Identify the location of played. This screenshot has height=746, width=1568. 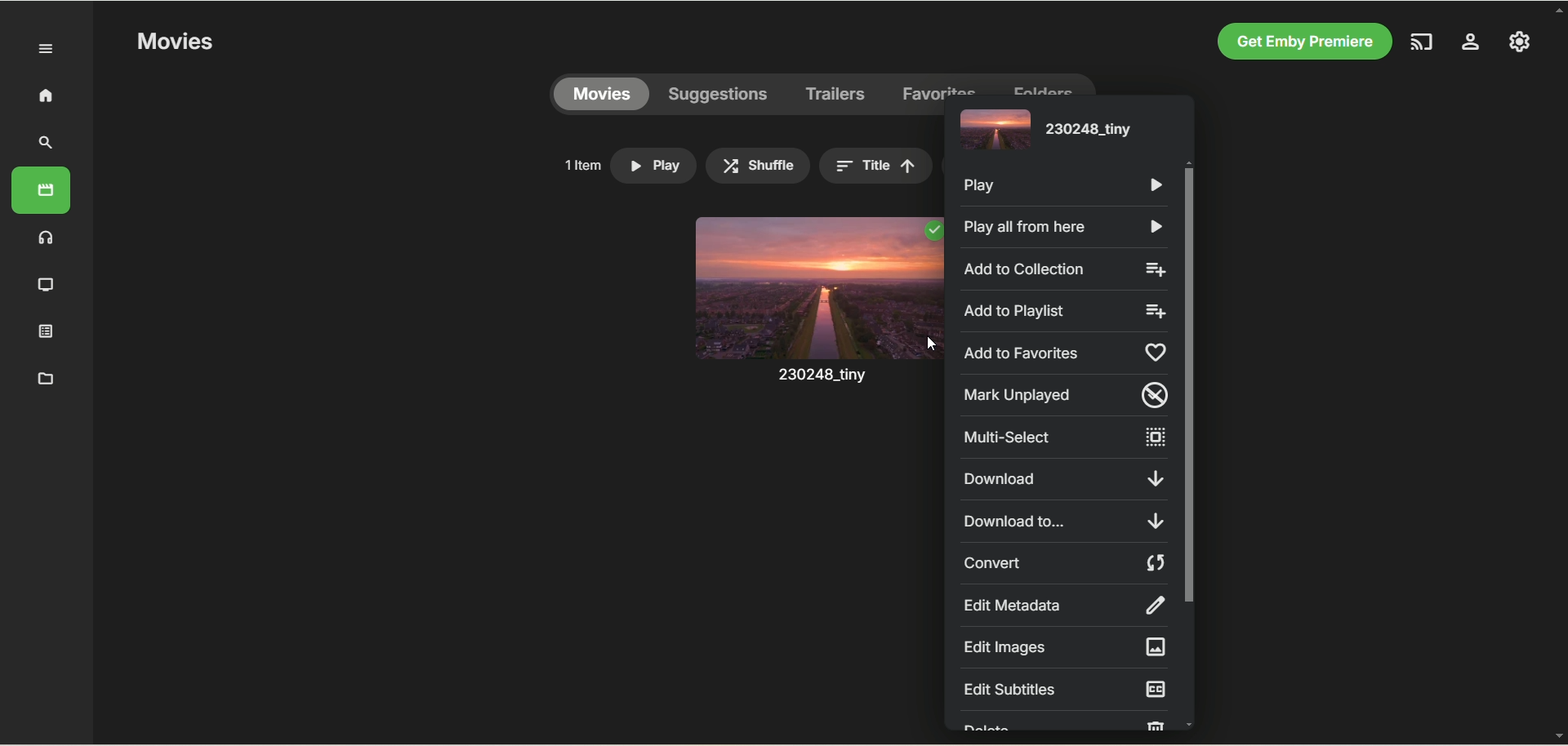
(932, 231).